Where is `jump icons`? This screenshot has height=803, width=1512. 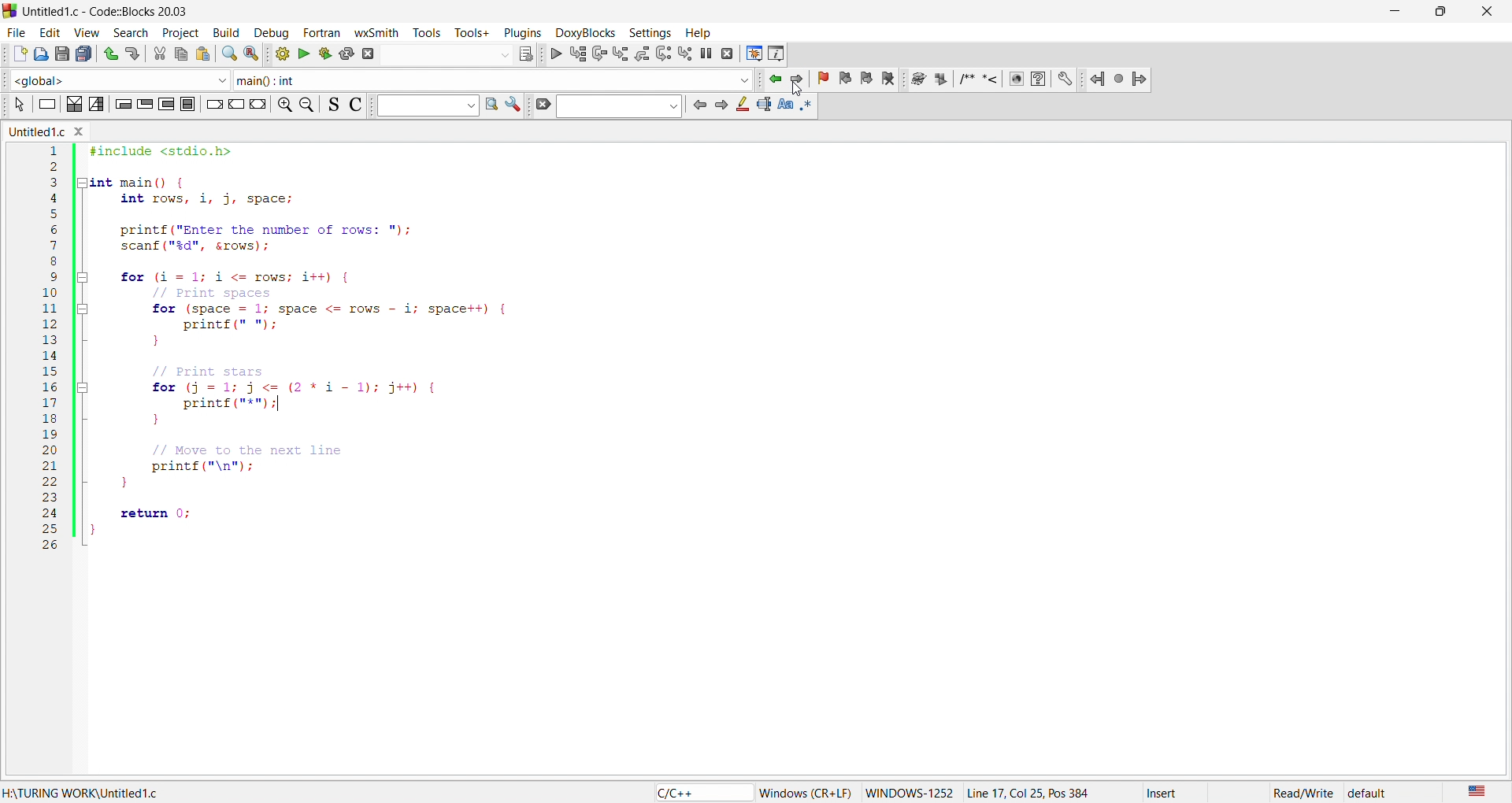
jump icons is located at coordinates (1114, 77).